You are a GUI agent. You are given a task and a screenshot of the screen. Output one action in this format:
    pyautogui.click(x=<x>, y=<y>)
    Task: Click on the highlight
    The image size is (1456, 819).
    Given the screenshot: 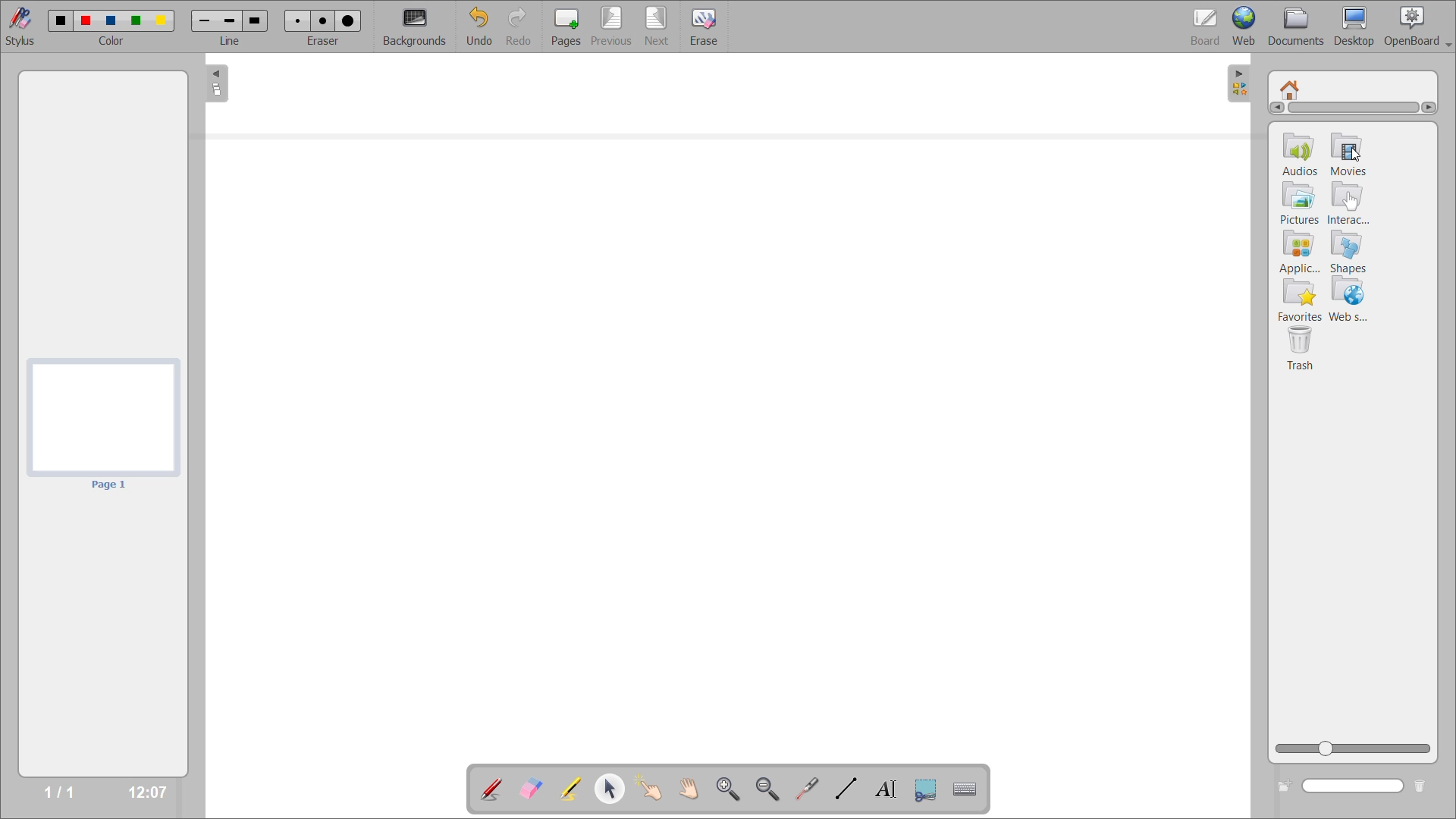 What is the action you would take?
    pyautogui.click(x=569, y=786)
    